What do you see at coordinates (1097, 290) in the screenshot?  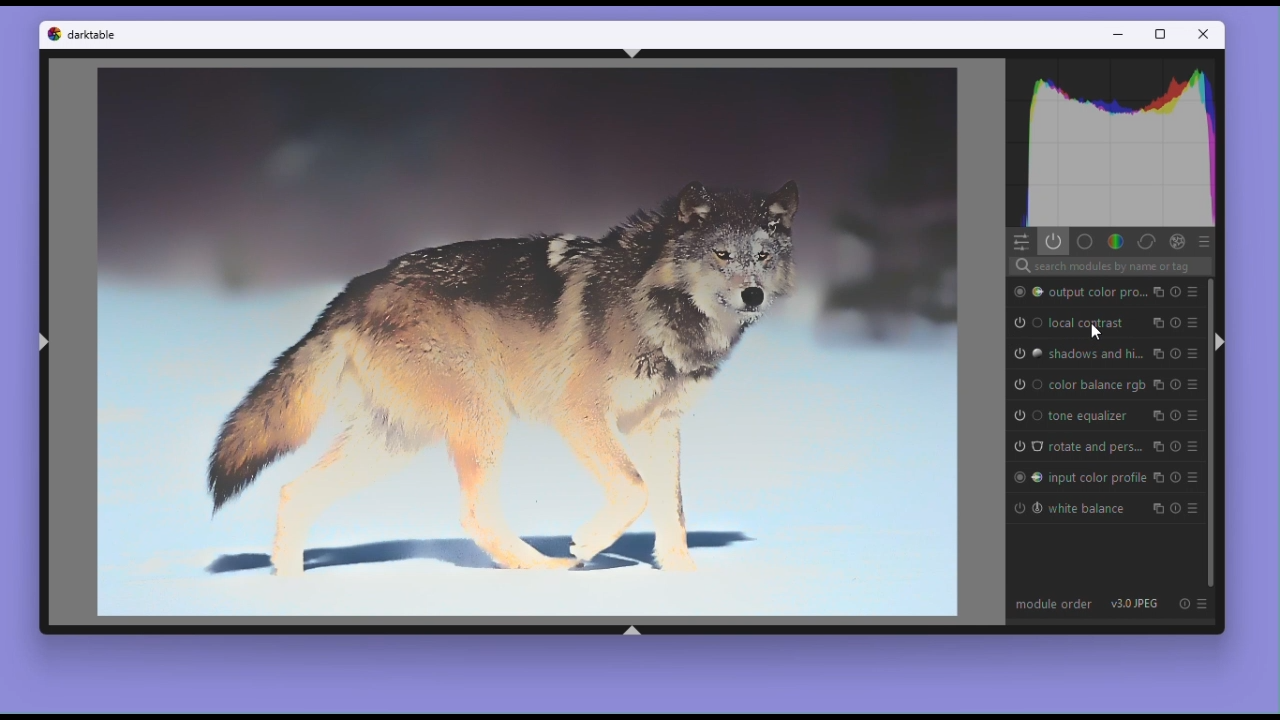 I see `Output colour profile` at bounding box center [1097, 290].